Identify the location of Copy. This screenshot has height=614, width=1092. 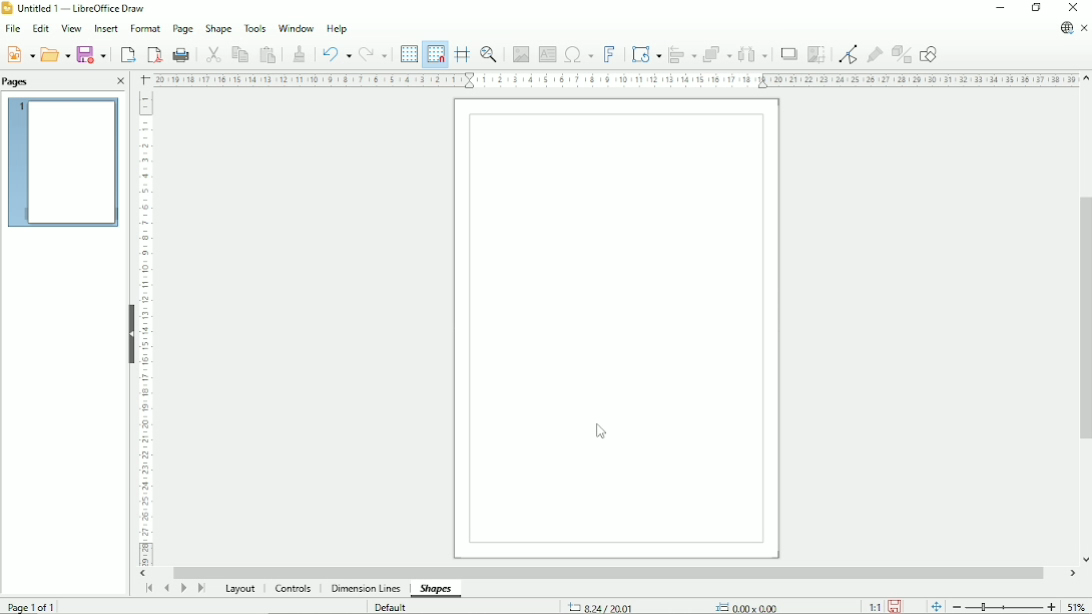
(238, 54).